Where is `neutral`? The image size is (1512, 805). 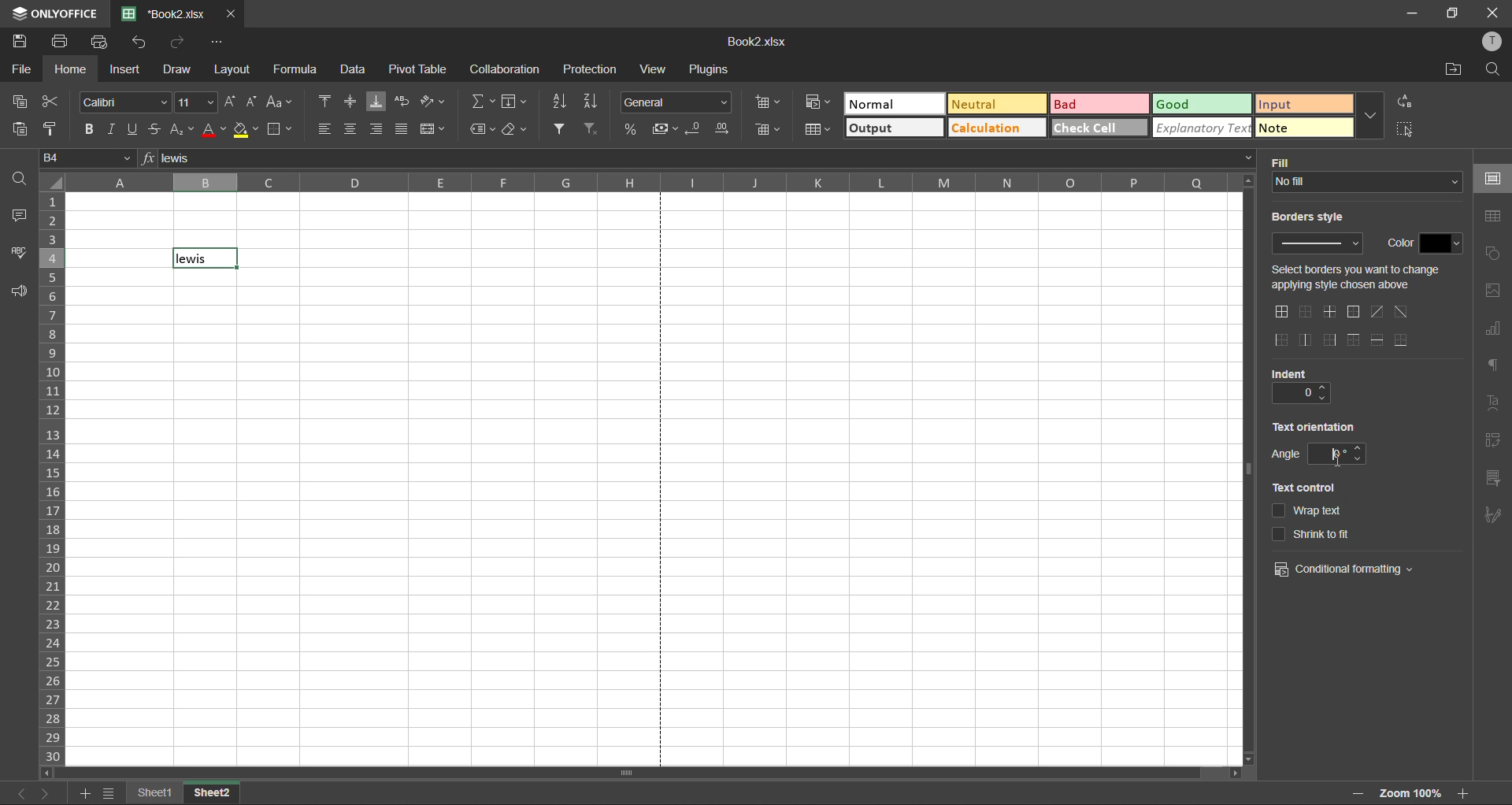 neutral is located at coordinates (995, 105).